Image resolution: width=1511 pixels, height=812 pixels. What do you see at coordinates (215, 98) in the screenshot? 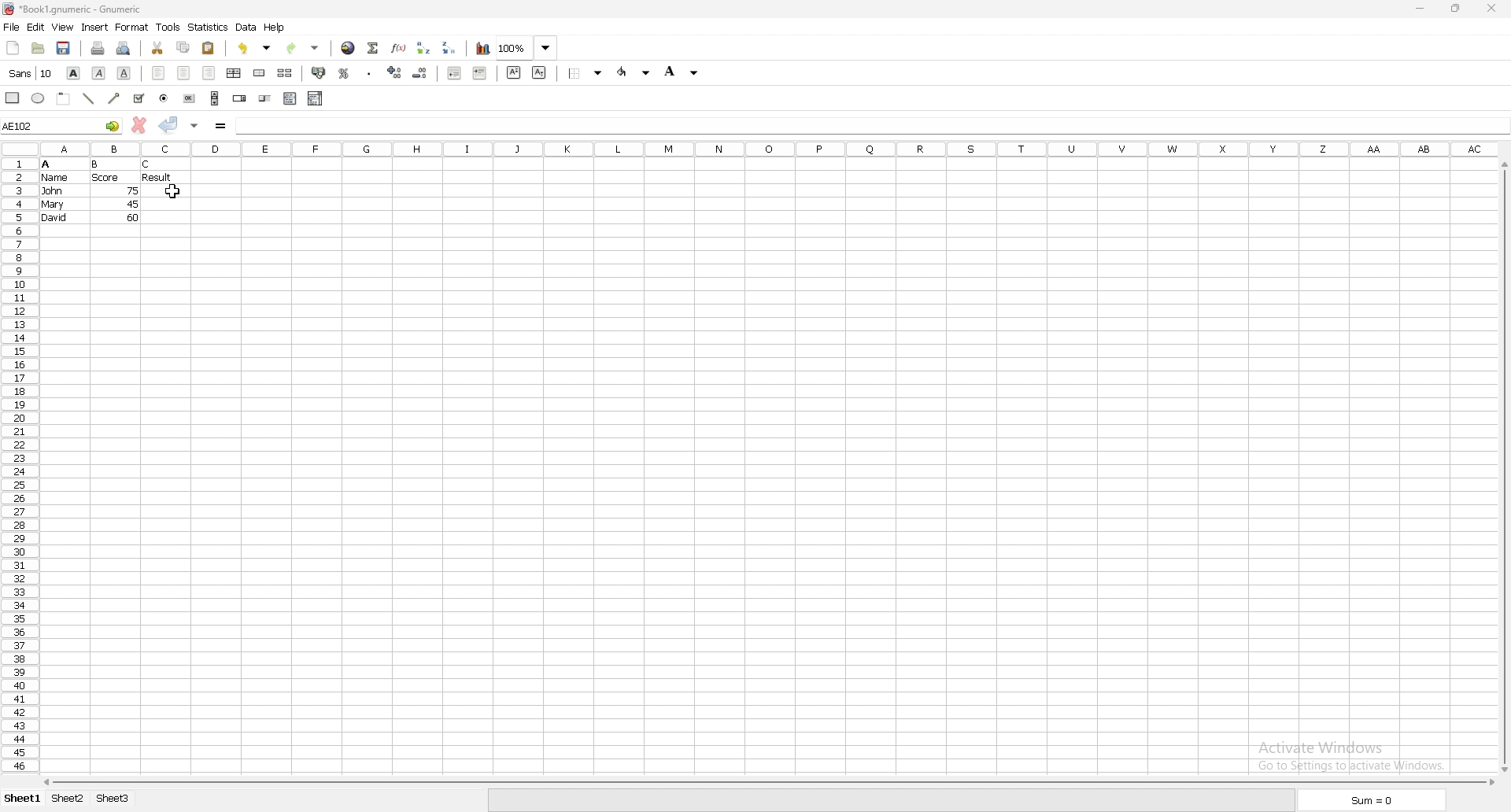
I see `scroll` at bounding box center [215, 98].